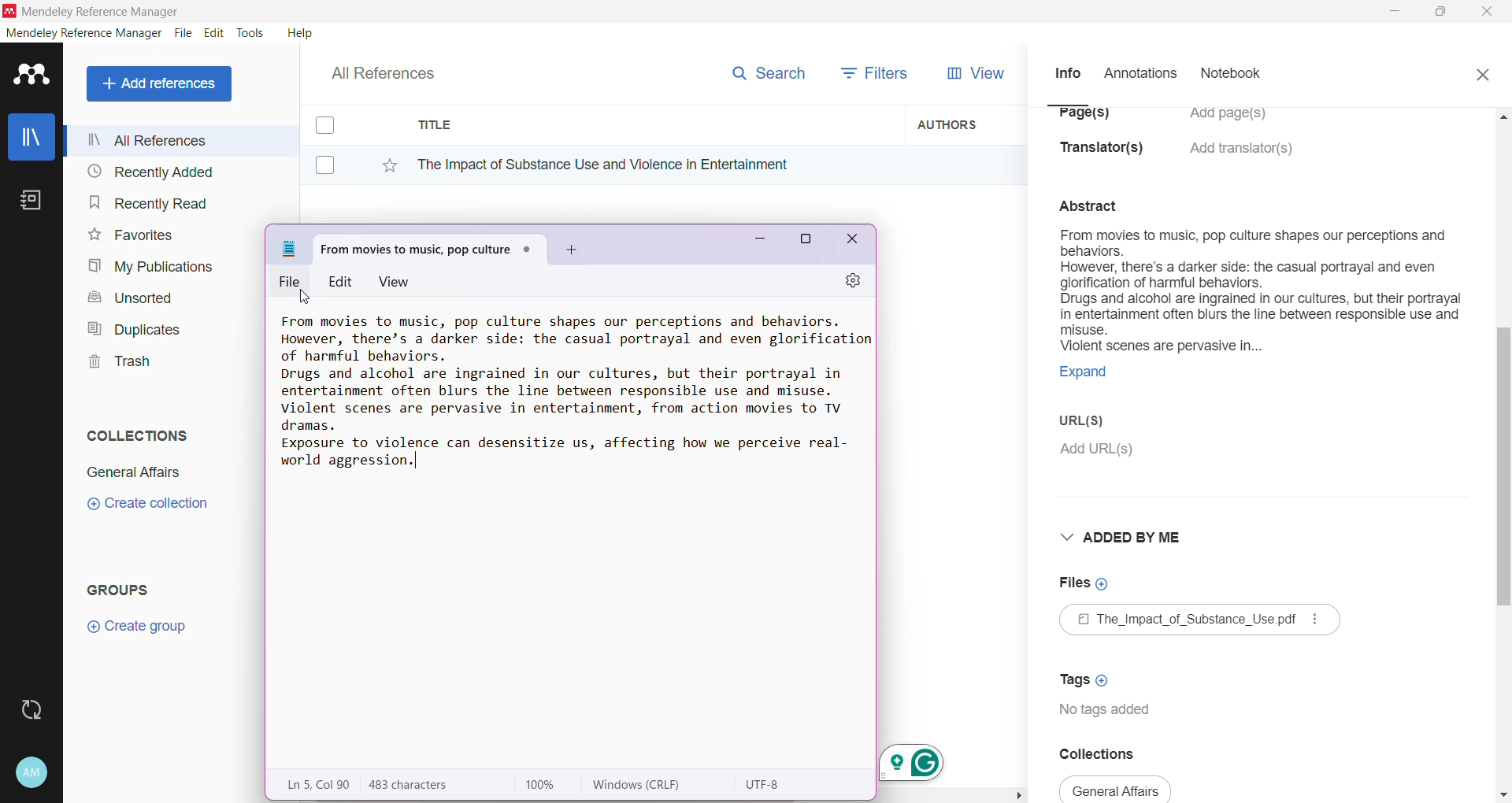 The height and width of the screenshot is (803, 1512). Describe the element at coordinates (128, 297) in the screenshot. I see `Unsorted` at that location.